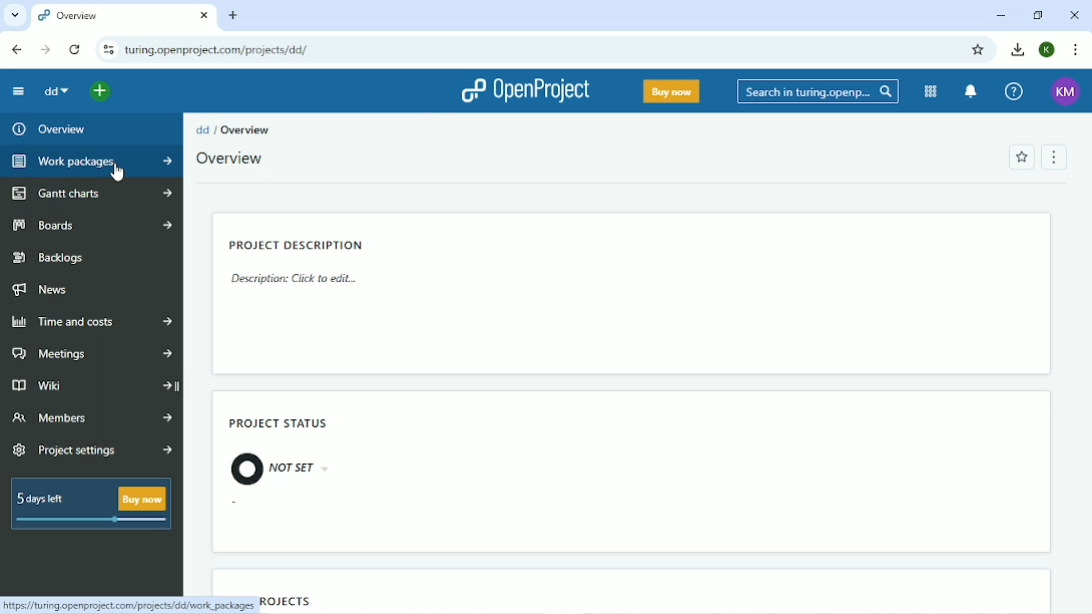  What do you see at coordinates (92, 449) in the screenshot?
I see `Project settings` at bounding box center [92, 449].